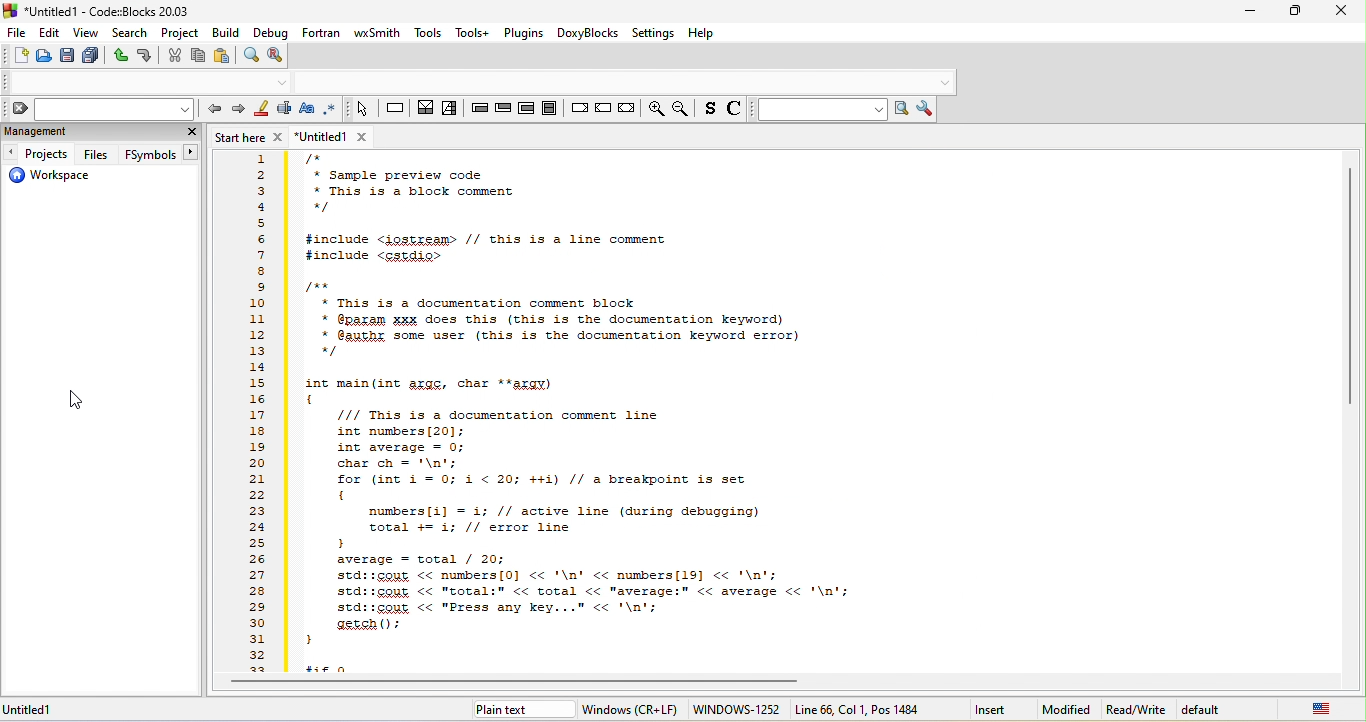 This screenshot has width=1366, height=722. Describe the element at coordinates (945, 83) in the screenshot. I see `dropdown` at that location.